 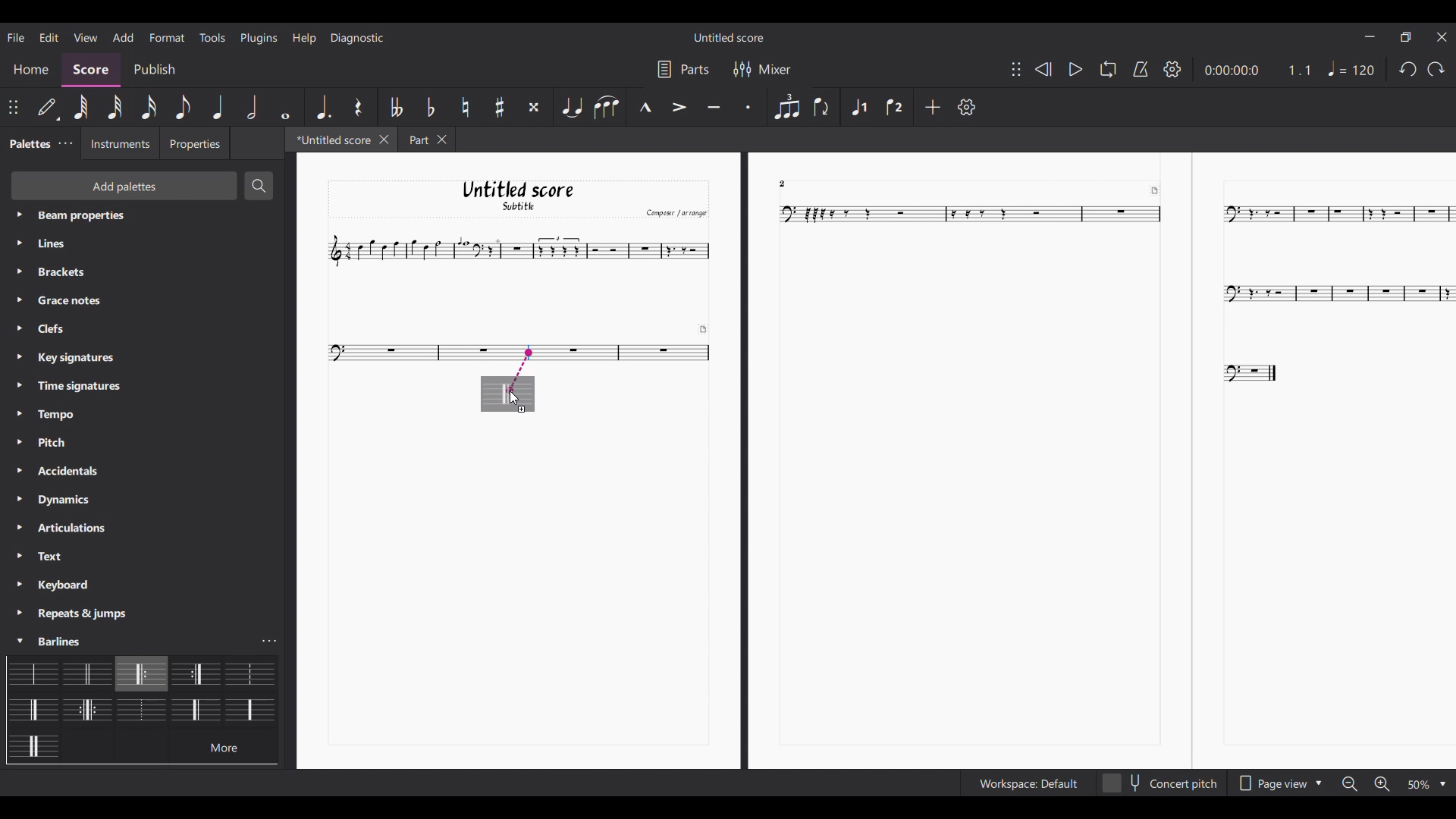 What do you see at coordinates (58, 559) in the screenshot?
I see `Palette settings` at bounding box center [58, 559].